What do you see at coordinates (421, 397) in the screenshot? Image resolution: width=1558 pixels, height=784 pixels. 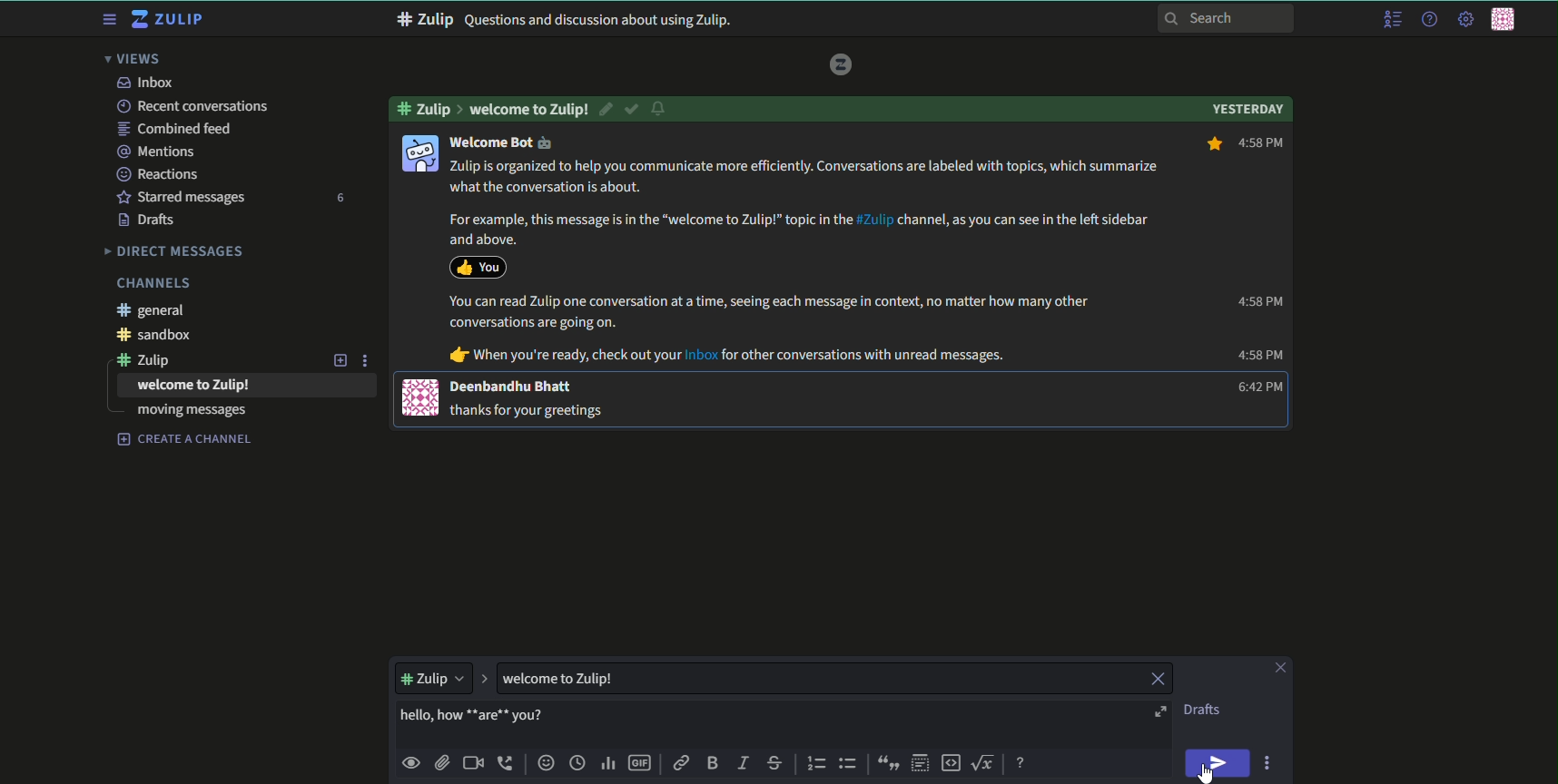 I see `icon` at bounding box center [421, 397].